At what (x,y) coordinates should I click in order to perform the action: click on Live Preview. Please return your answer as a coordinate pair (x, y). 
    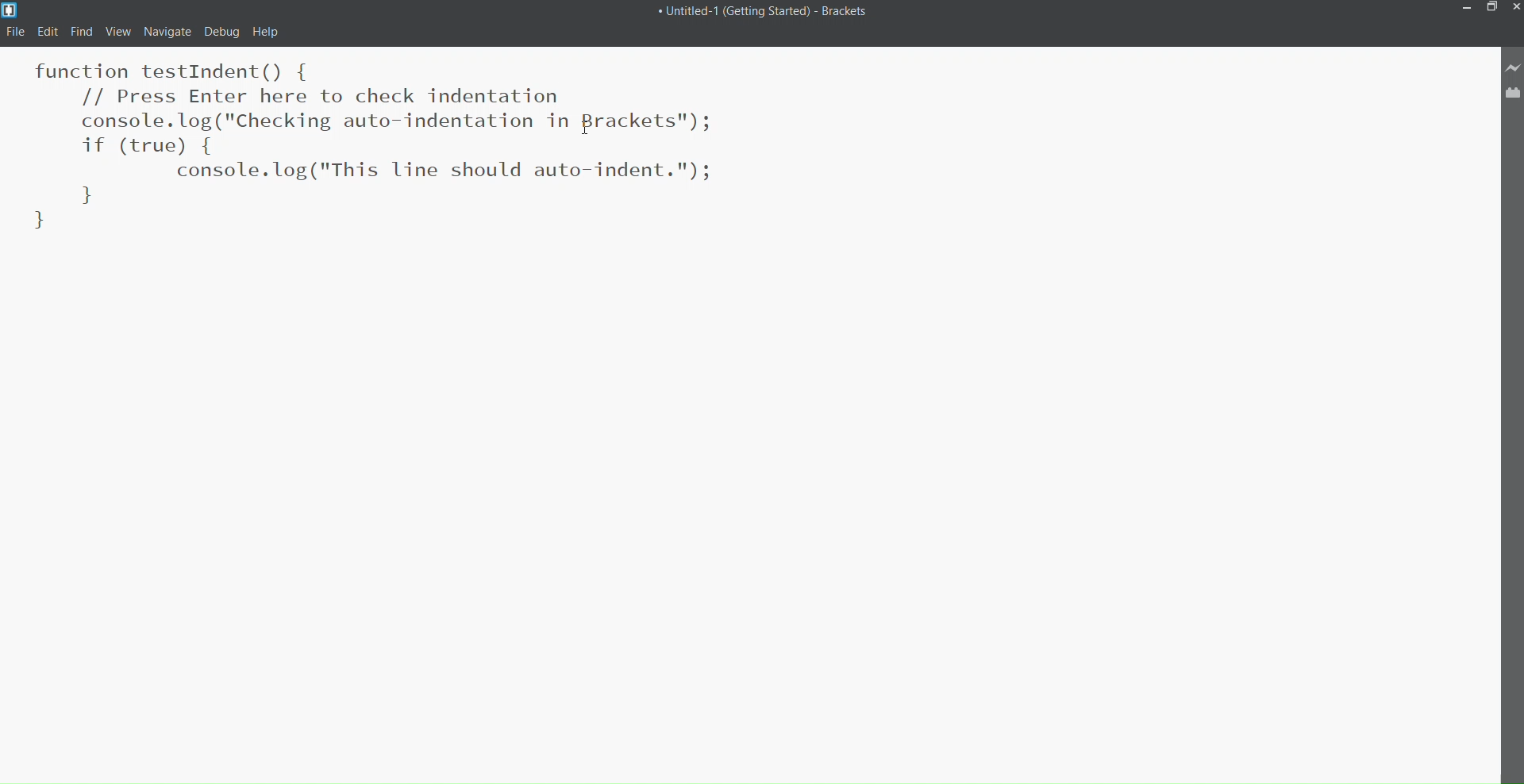
    Looking at the image, I should click on (1513, 67).